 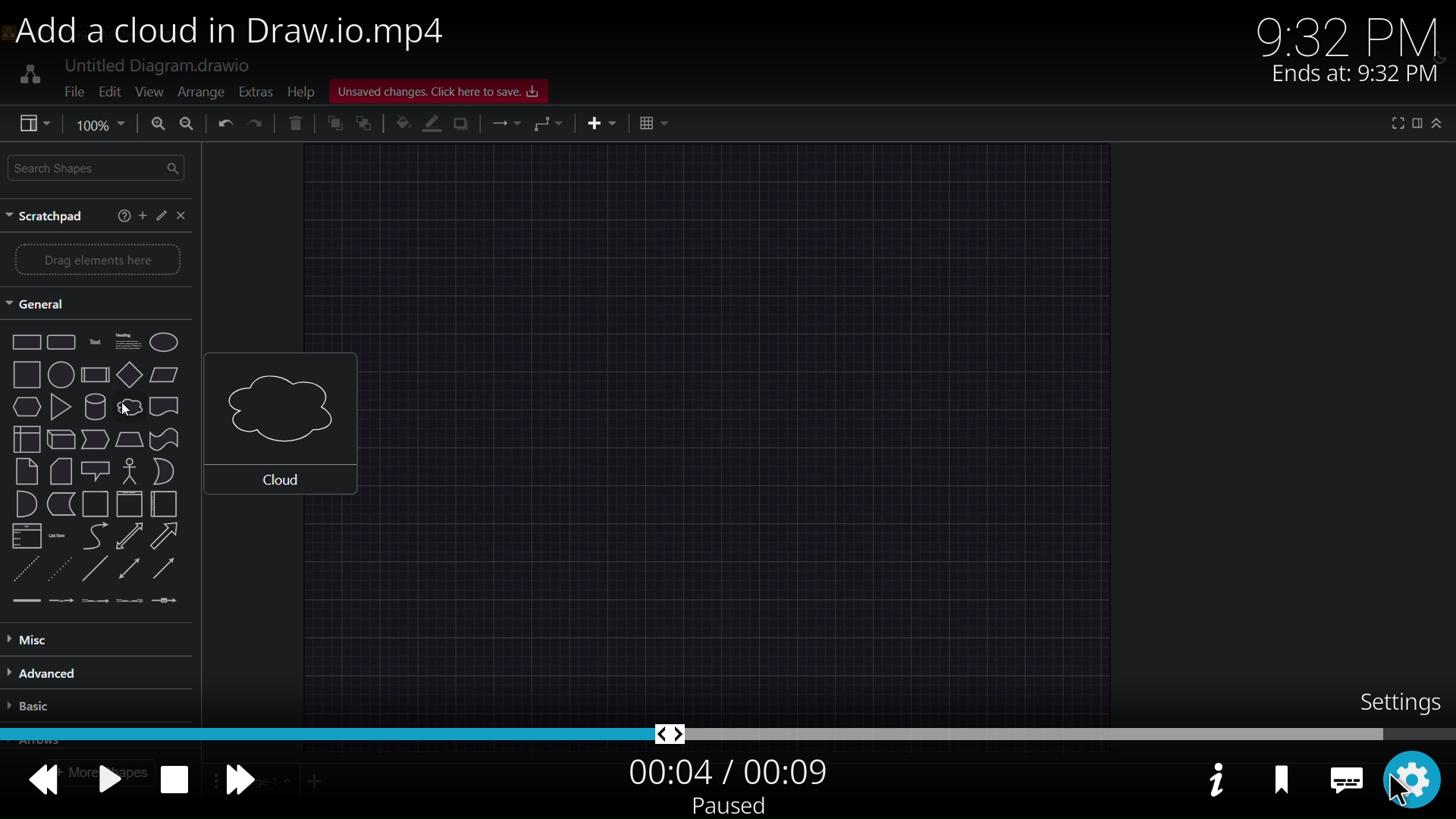 What do you see at coordinates (112, 777) in the screenshot?
I see `pause` at bounding box center [112, 777].